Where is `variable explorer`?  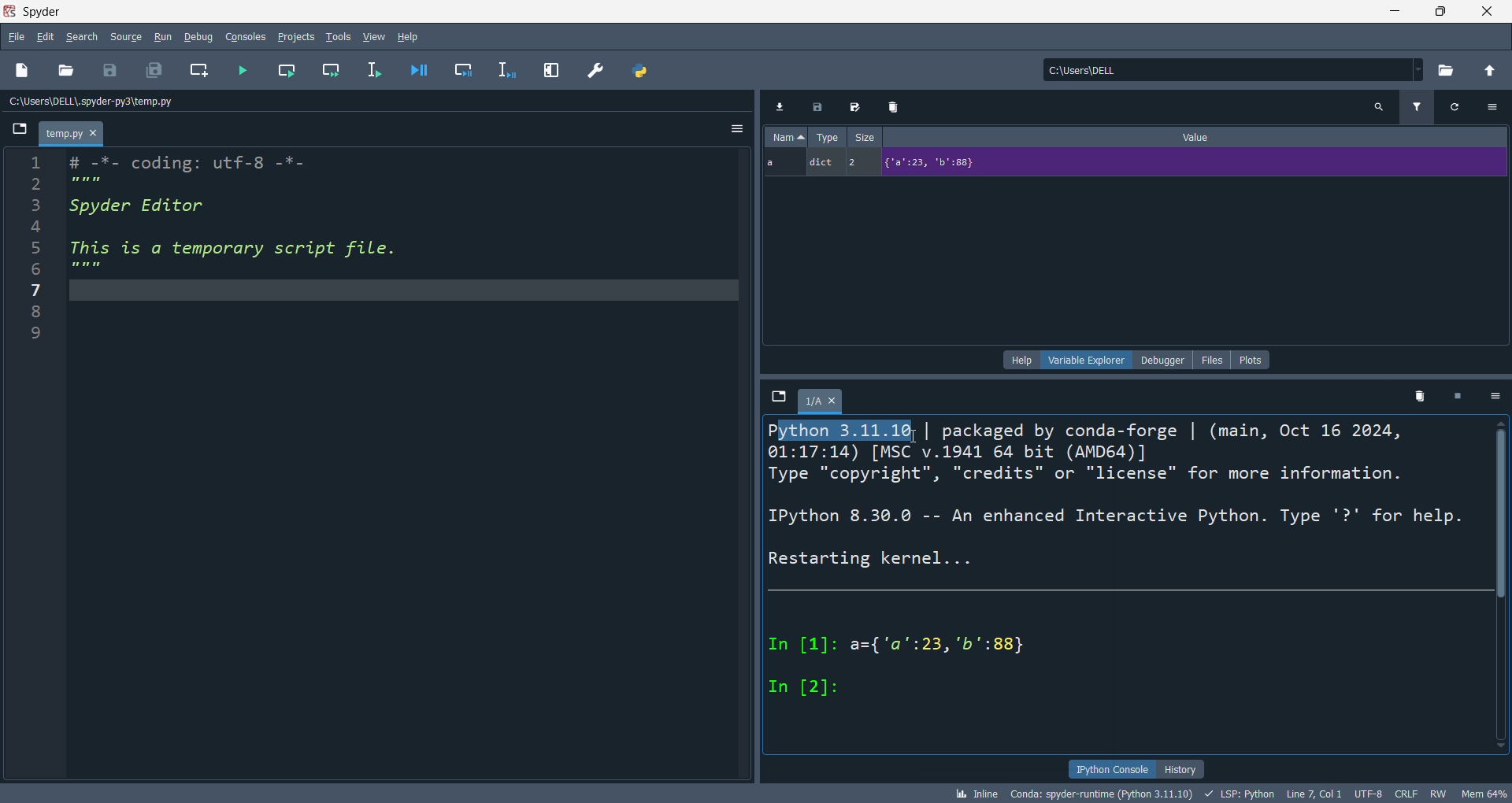
variable explorer is located at coordinates (1085, 361).